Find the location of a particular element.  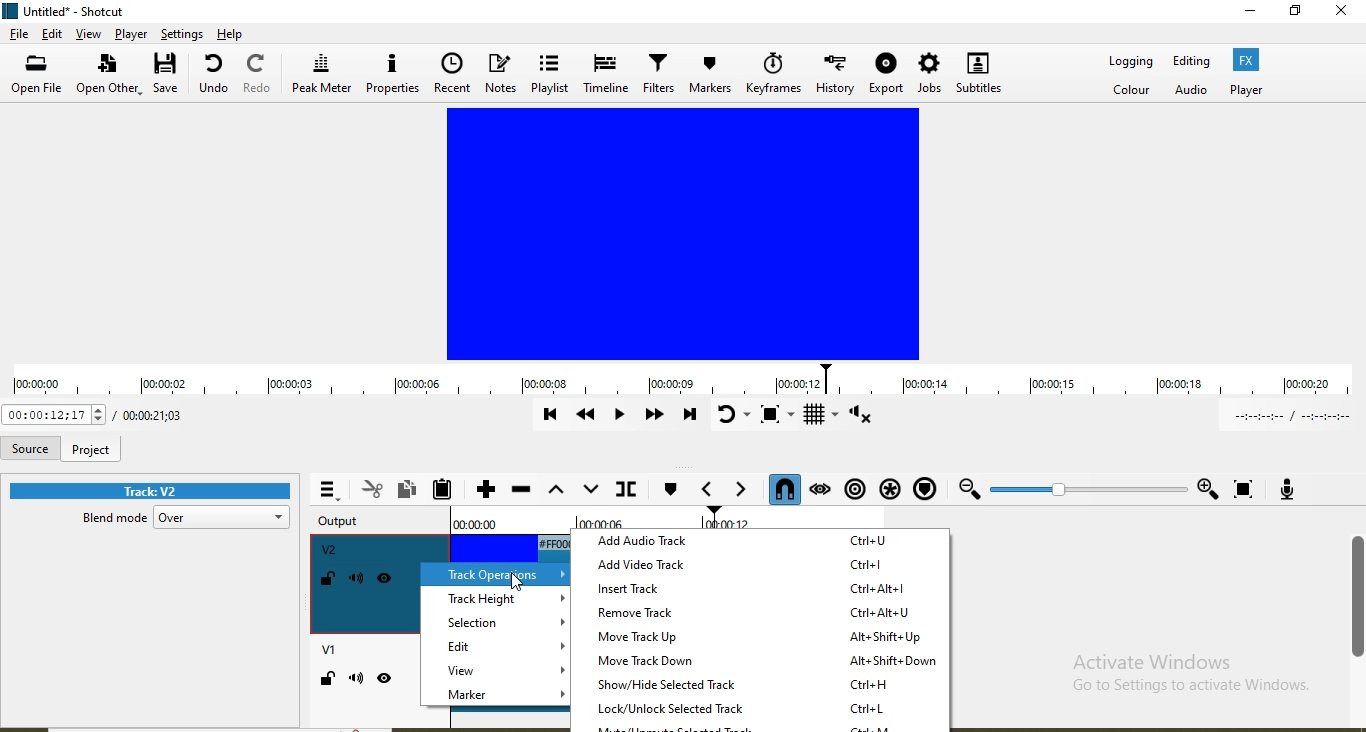

Ripple all tracks is located at coordinates (888, 489).